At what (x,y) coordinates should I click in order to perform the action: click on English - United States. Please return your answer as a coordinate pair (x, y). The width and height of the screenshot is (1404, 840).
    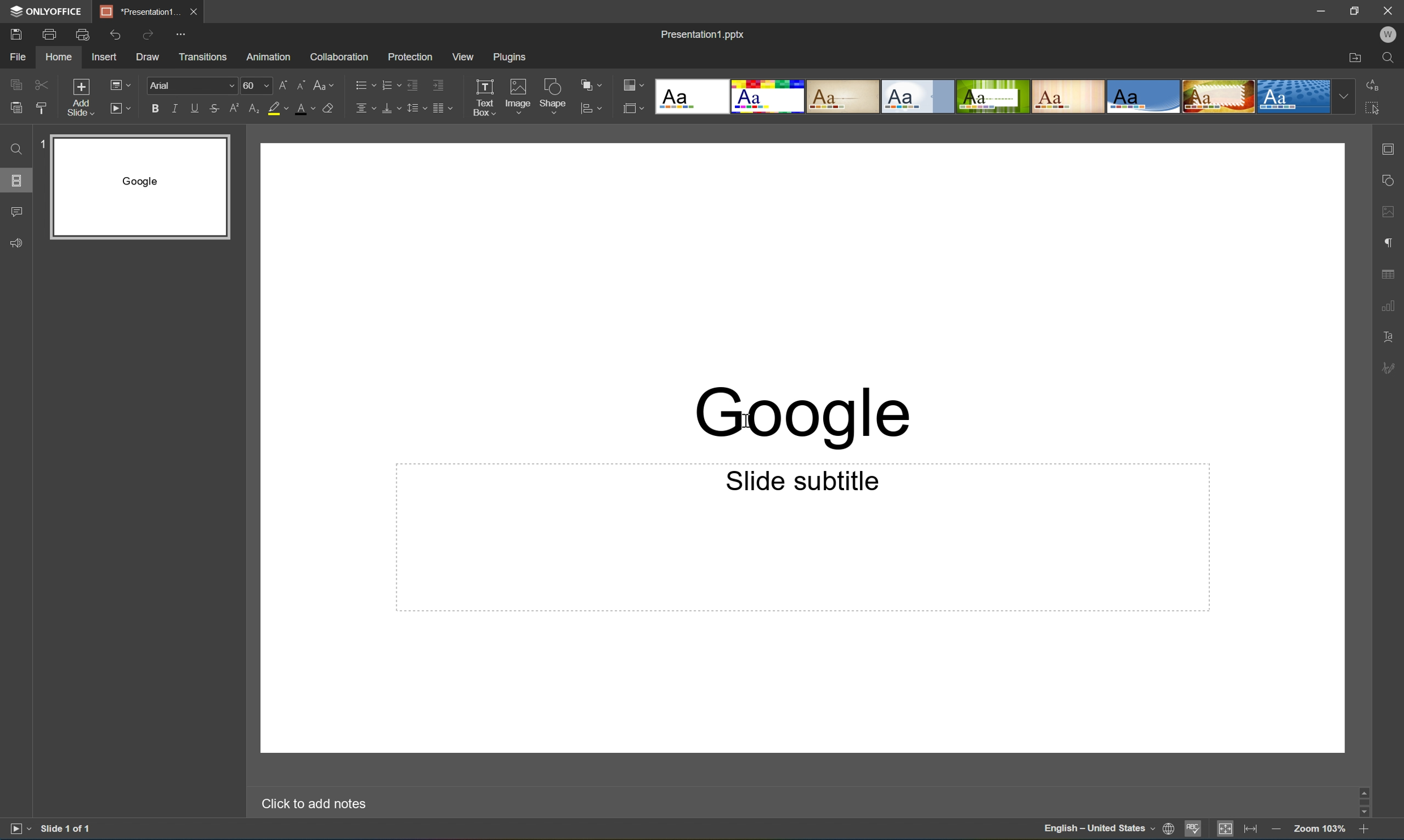
    Looking at the image, I should click on (1097, 829).